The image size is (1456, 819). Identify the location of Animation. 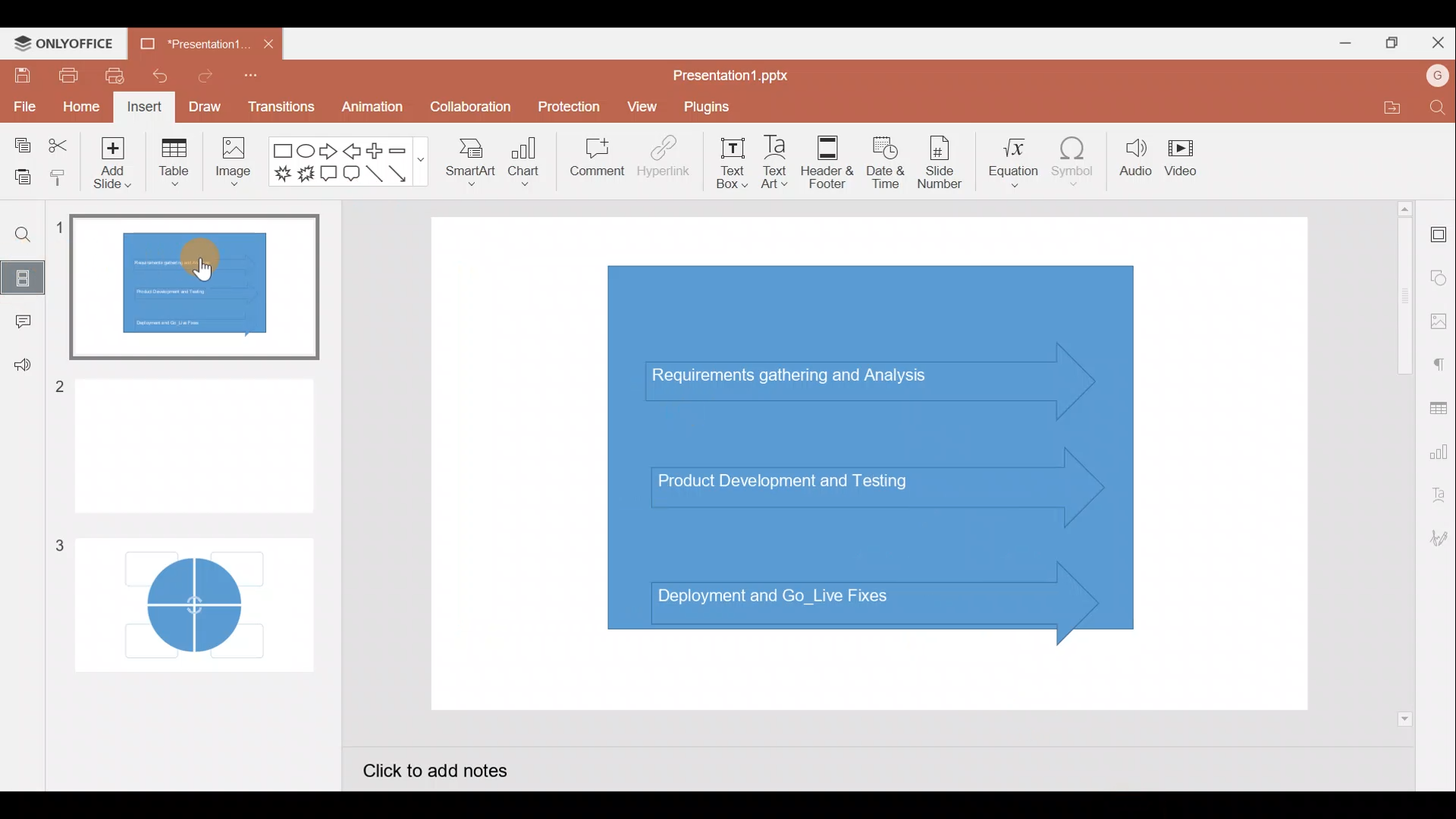
(369, 106).